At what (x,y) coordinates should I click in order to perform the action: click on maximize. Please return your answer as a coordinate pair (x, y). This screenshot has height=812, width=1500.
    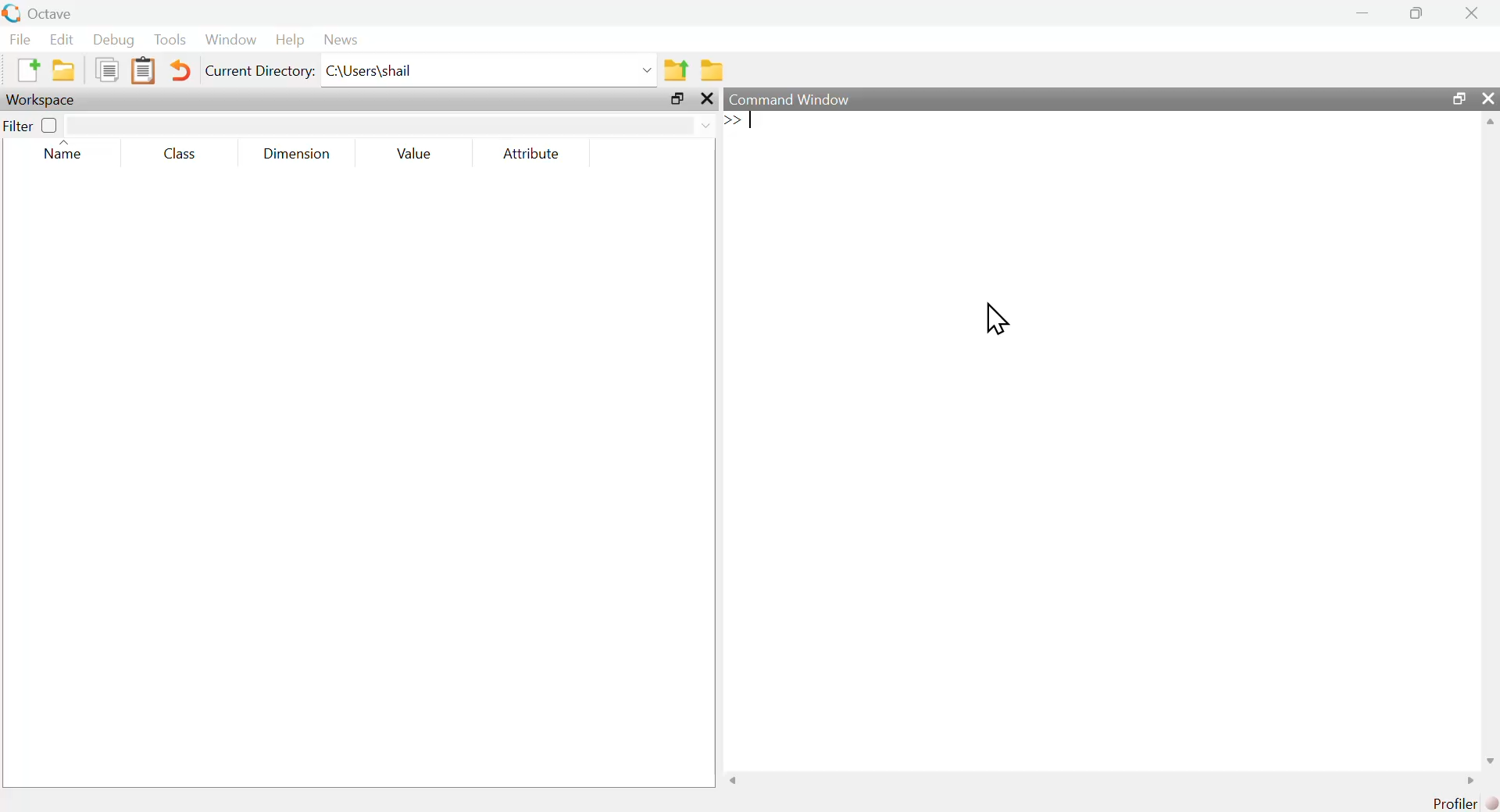
    Looking at the image, I should click on (1458, 98).